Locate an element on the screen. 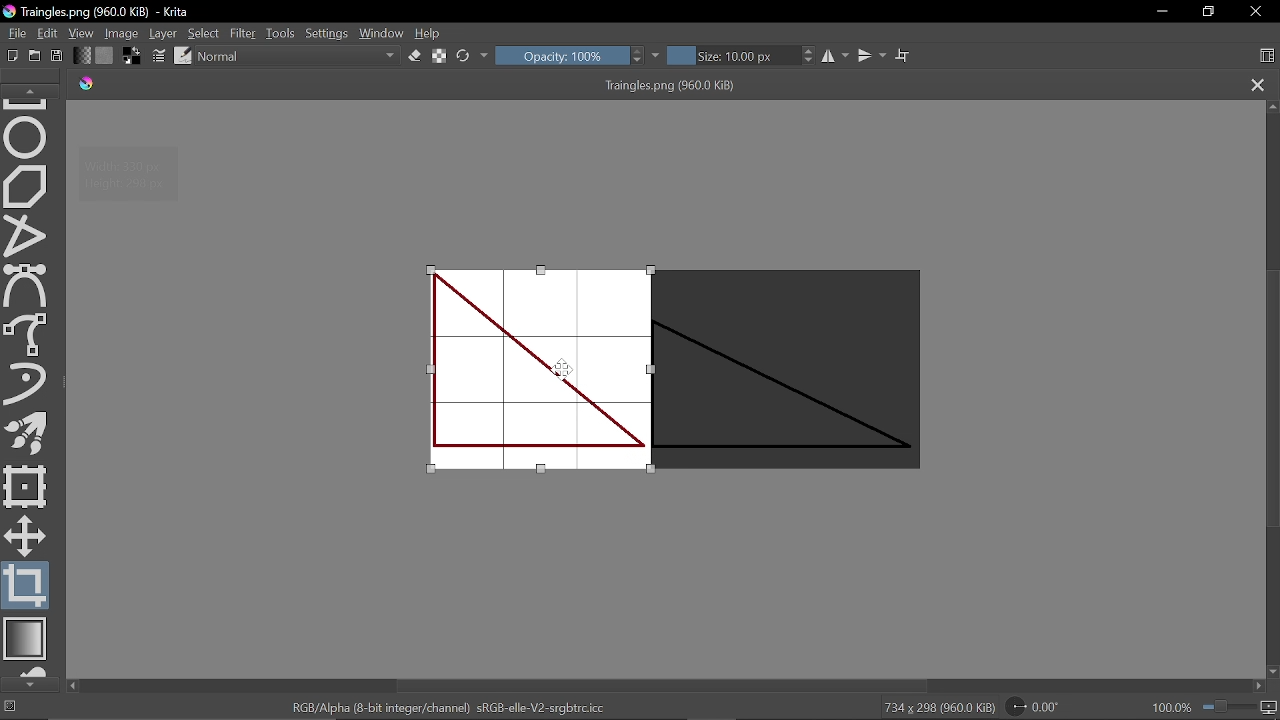 This screenshot has width=1280, height=720. Wrap text tool is located at coordinates (903, 55).